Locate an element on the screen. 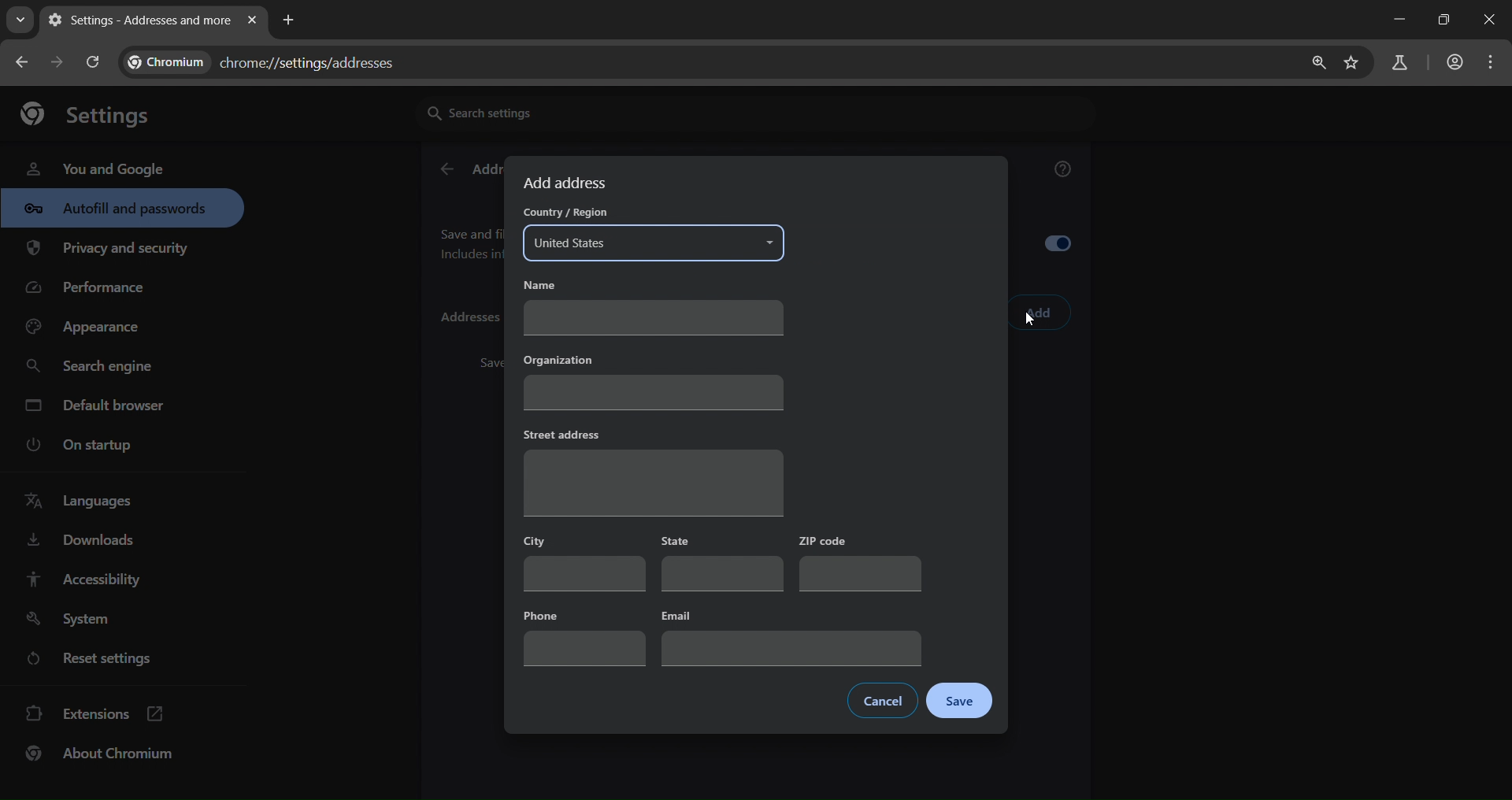 The image size is (1512, 800). search panel is located at coordinates (1398, 64).